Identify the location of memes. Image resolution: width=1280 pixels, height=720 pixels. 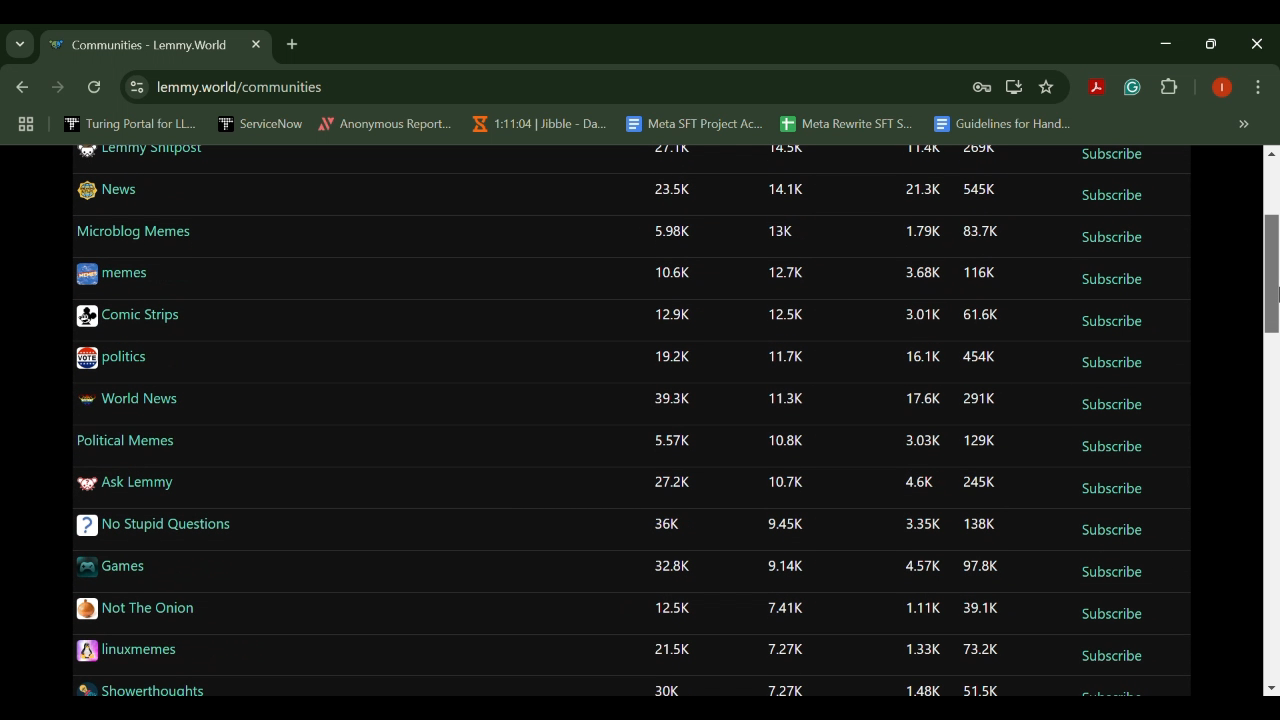
(113, 276).